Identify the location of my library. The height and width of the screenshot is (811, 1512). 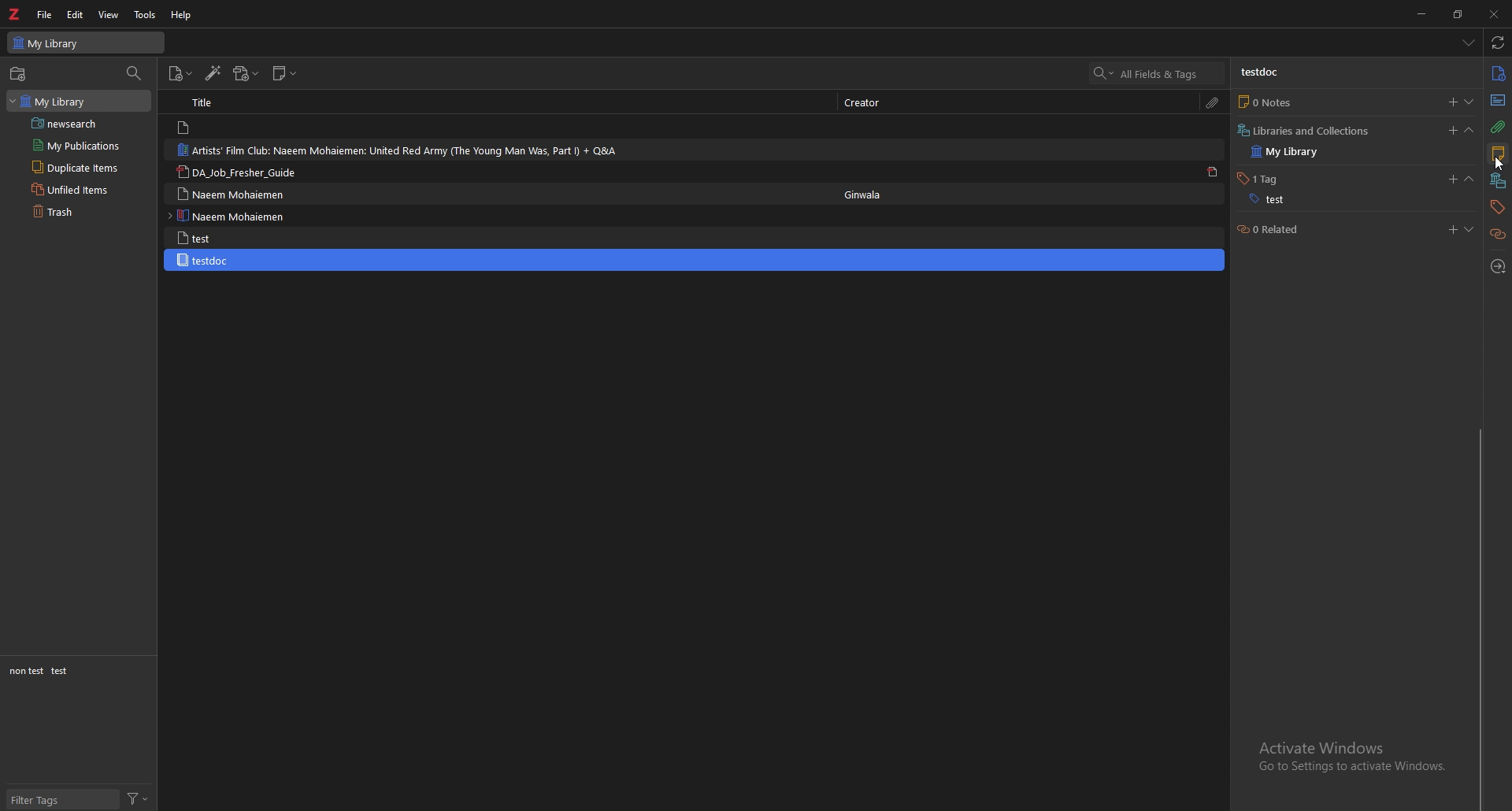
(86, 42).